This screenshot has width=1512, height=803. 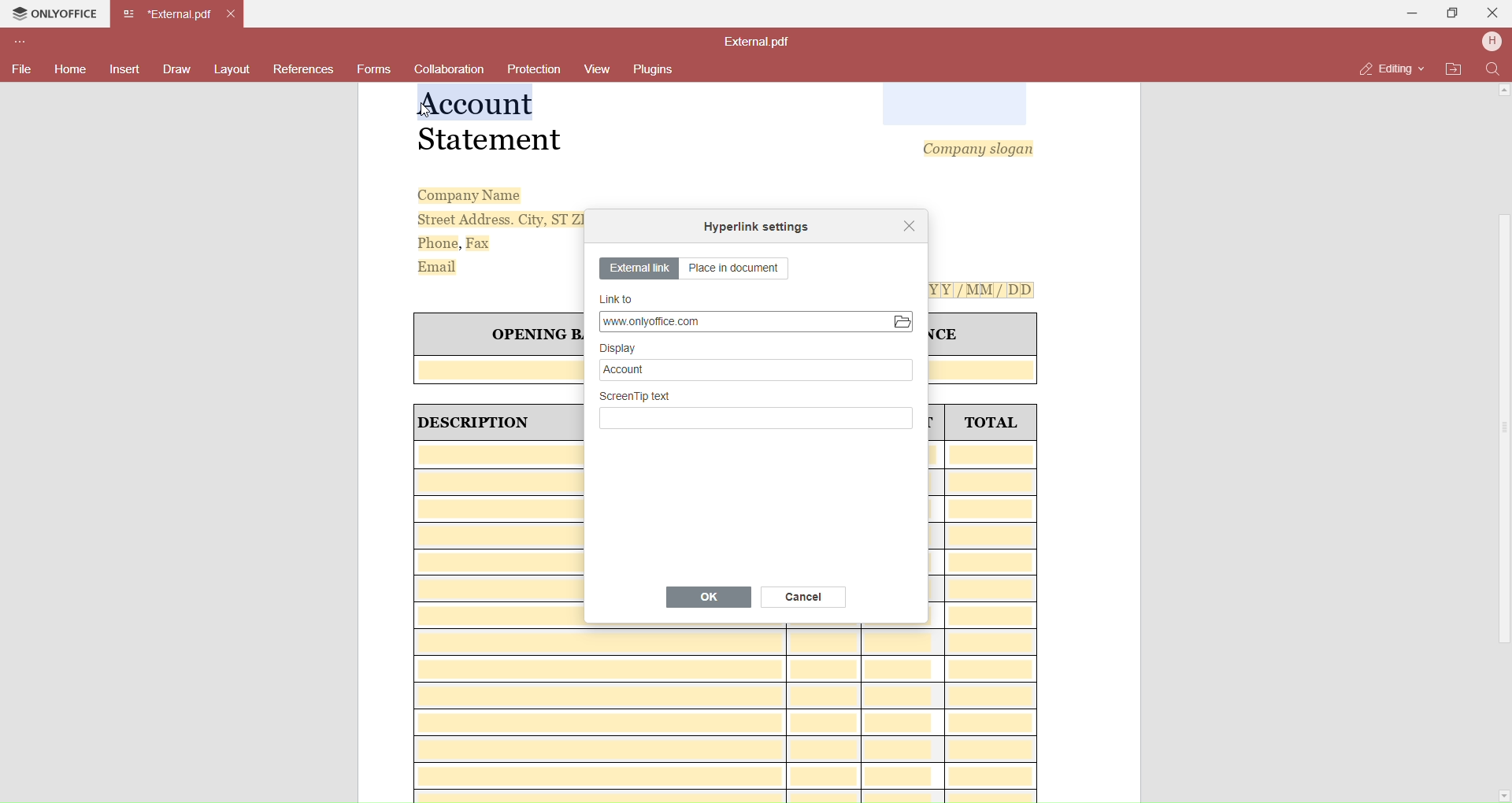 What do you see at coordinates (72, 71) in the screenshot?
I see `Home` at bounding box center [72, 71].